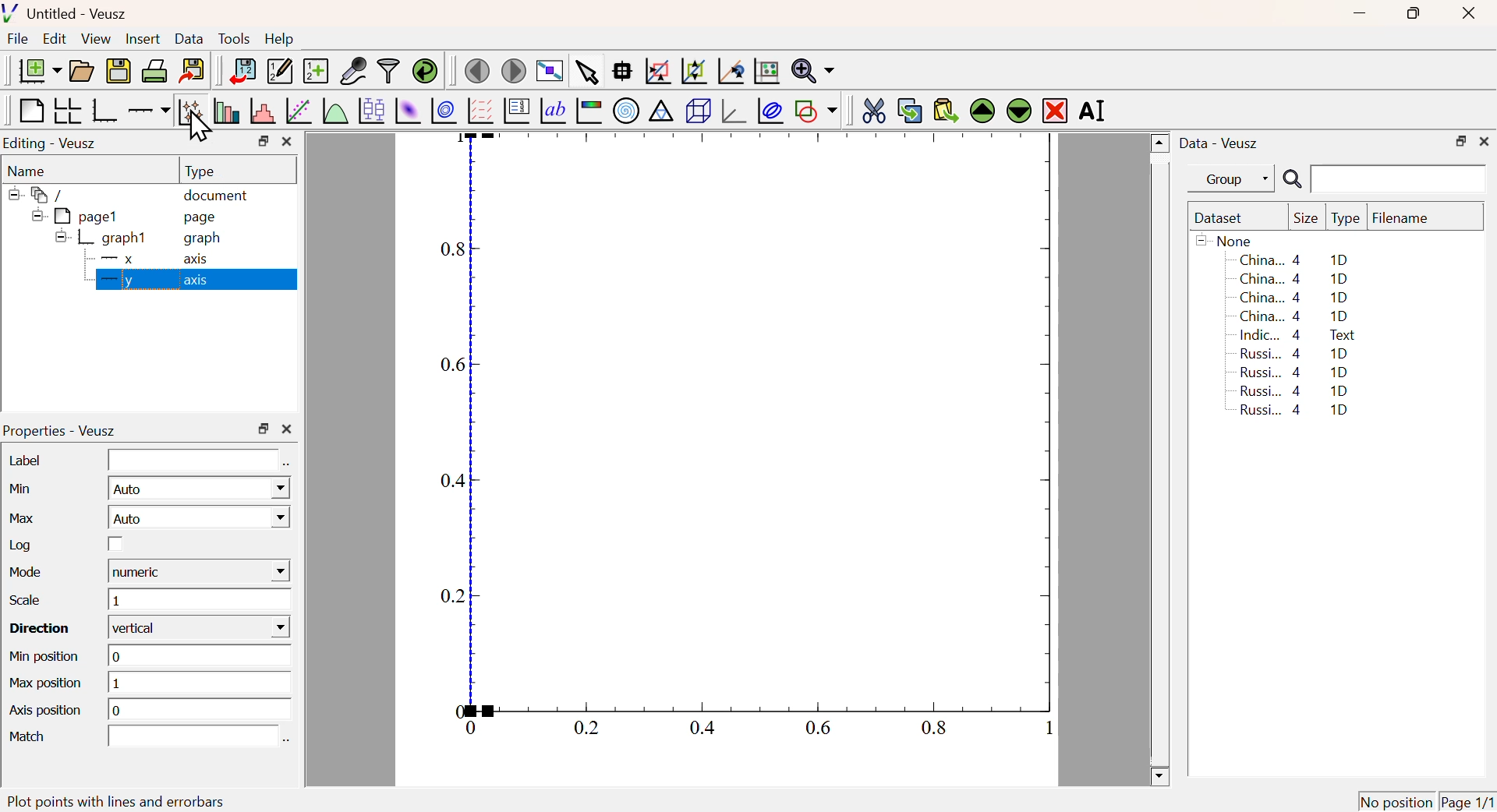  I want to click on File, so click(18, 39).